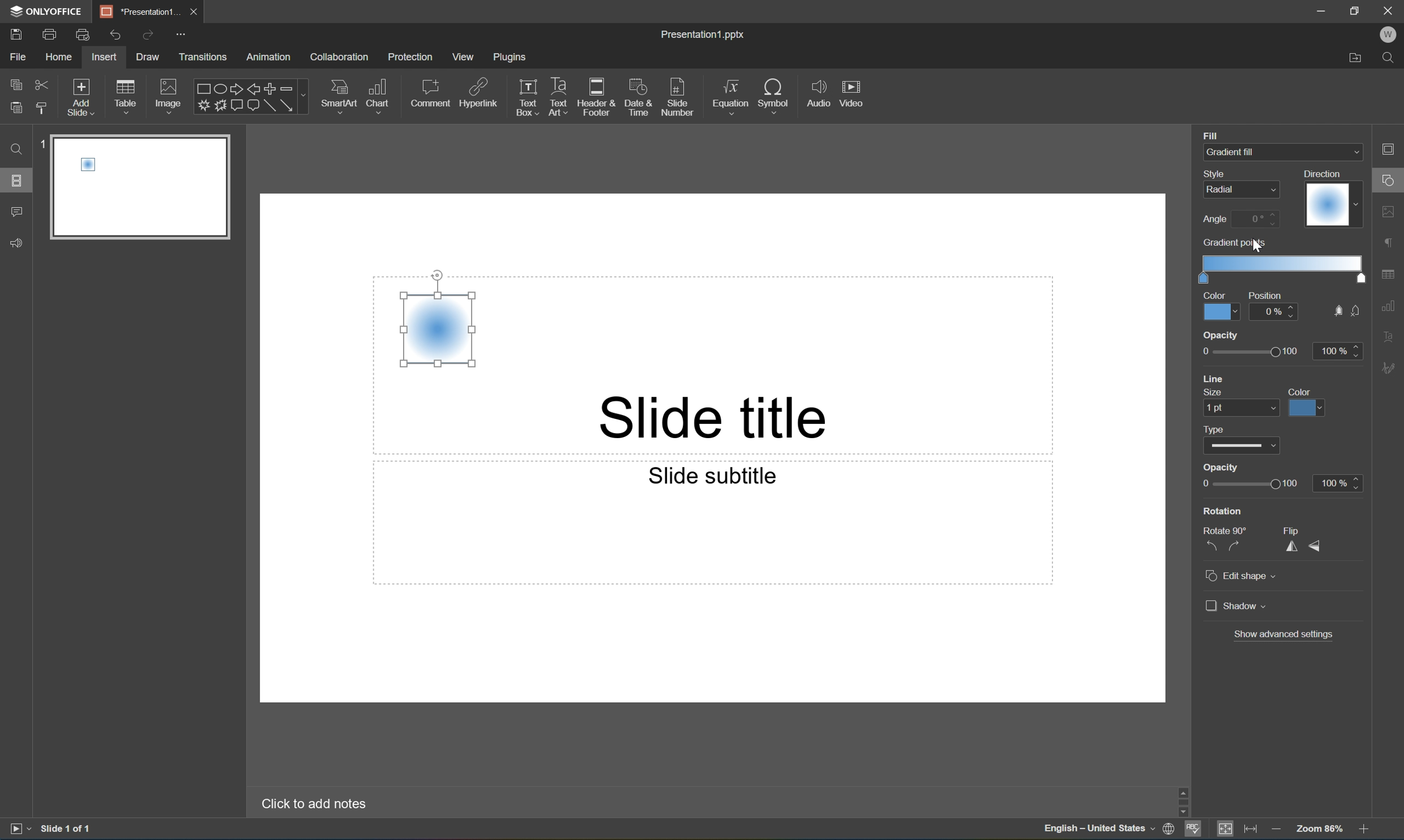 This screenshot has height=840, width=1404. I want to click on Radial, so click(1222, 188).